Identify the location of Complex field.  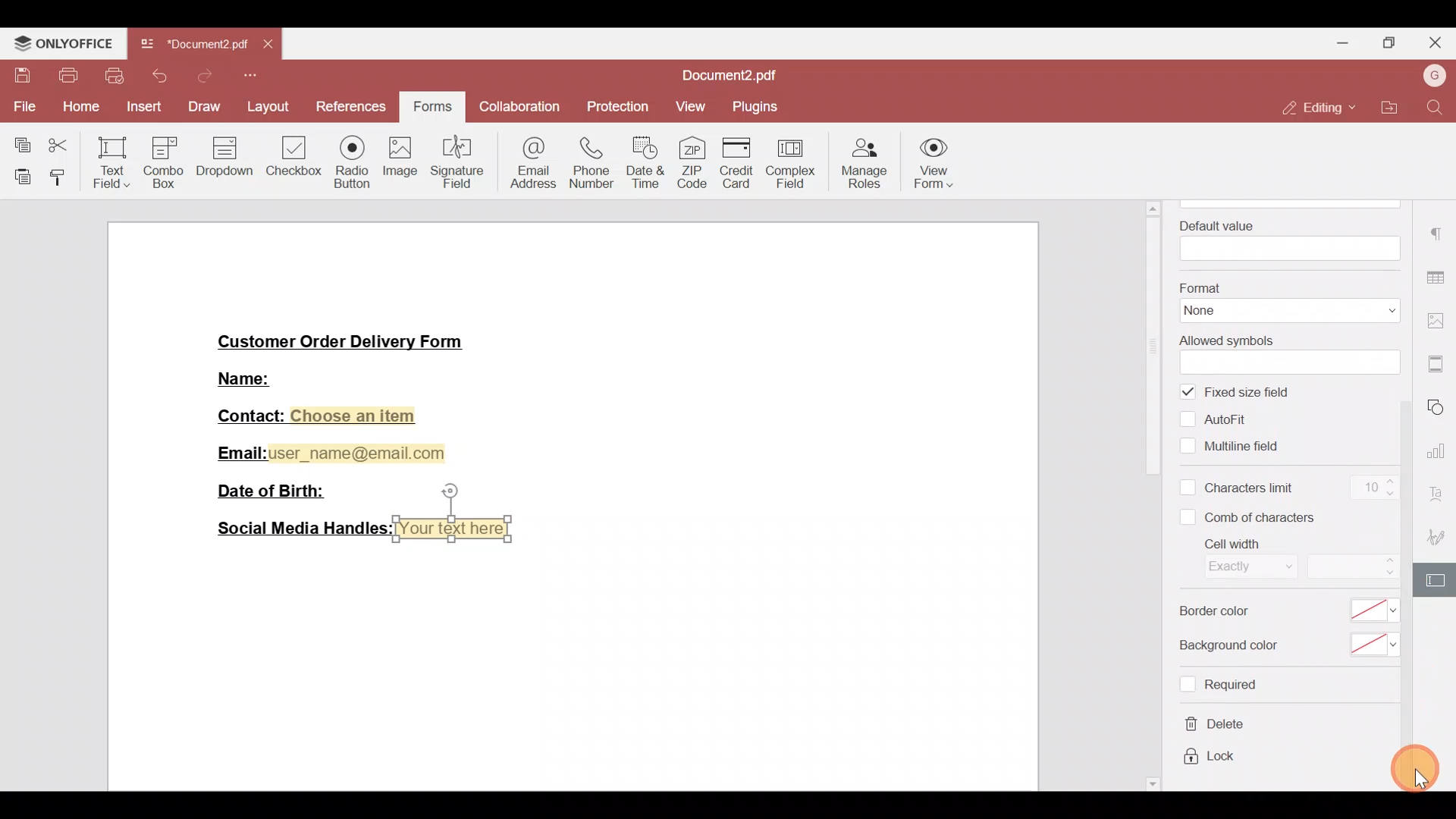
(795, 160).